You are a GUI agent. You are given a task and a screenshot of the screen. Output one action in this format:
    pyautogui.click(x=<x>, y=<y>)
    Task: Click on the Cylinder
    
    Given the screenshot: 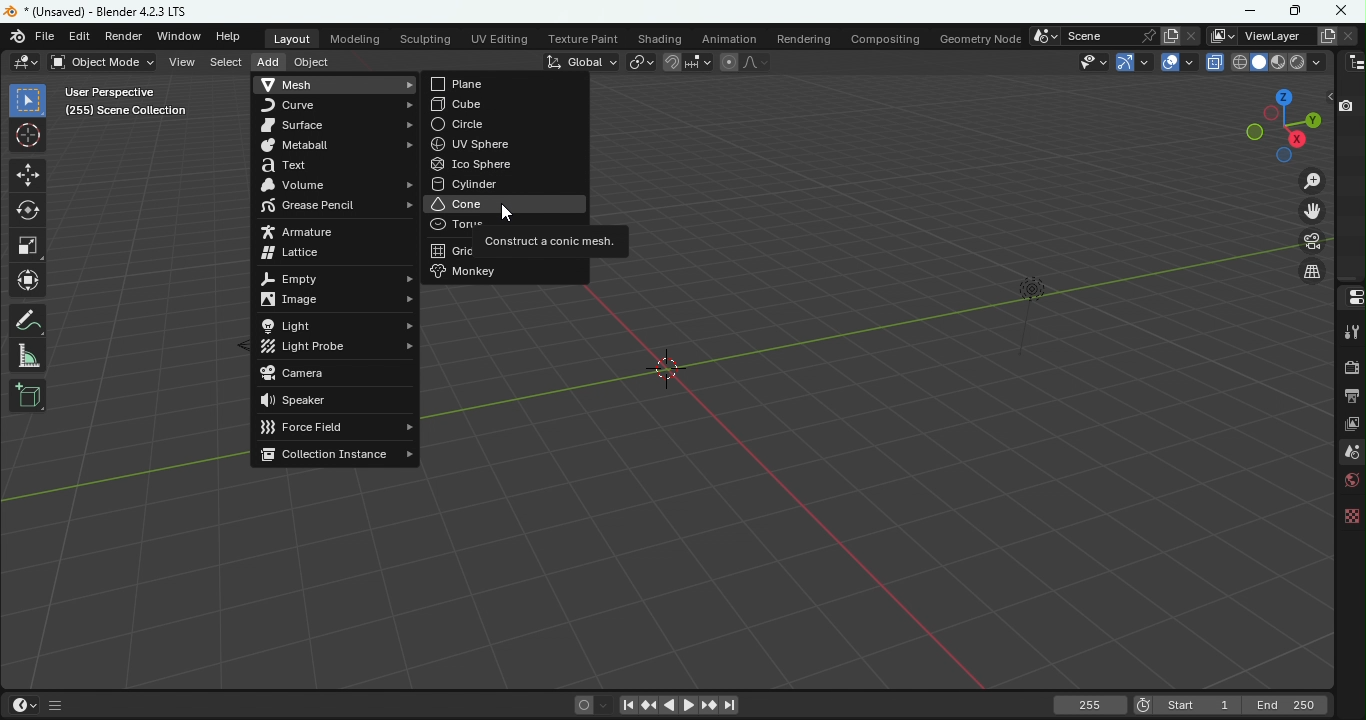 What is the action you would take?
    pyautogui.click(x=506, y=183)
    